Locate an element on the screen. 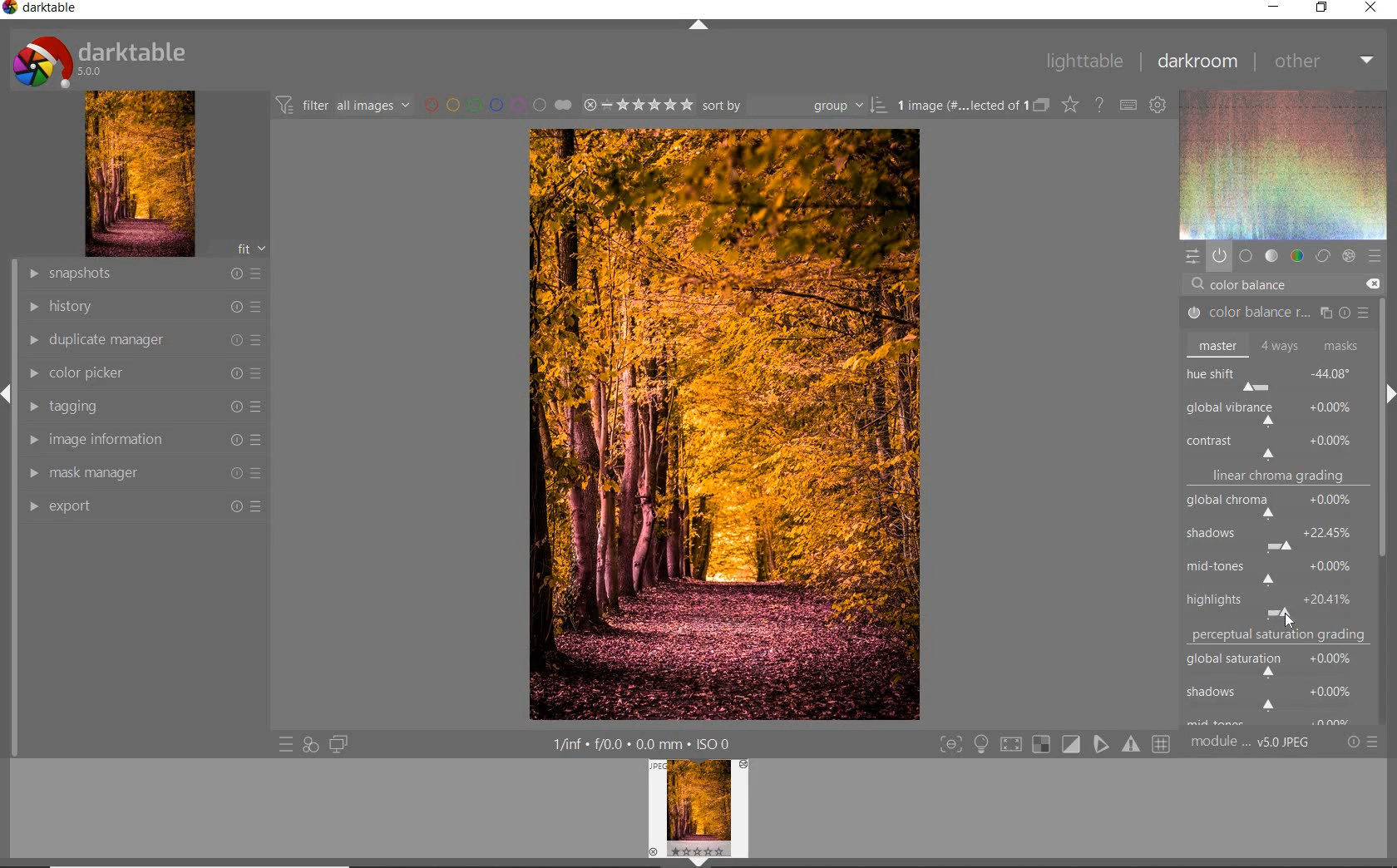 The width and height of the screenshot is (1397, 868). expand/collapse is located at coordinates (696, 25).